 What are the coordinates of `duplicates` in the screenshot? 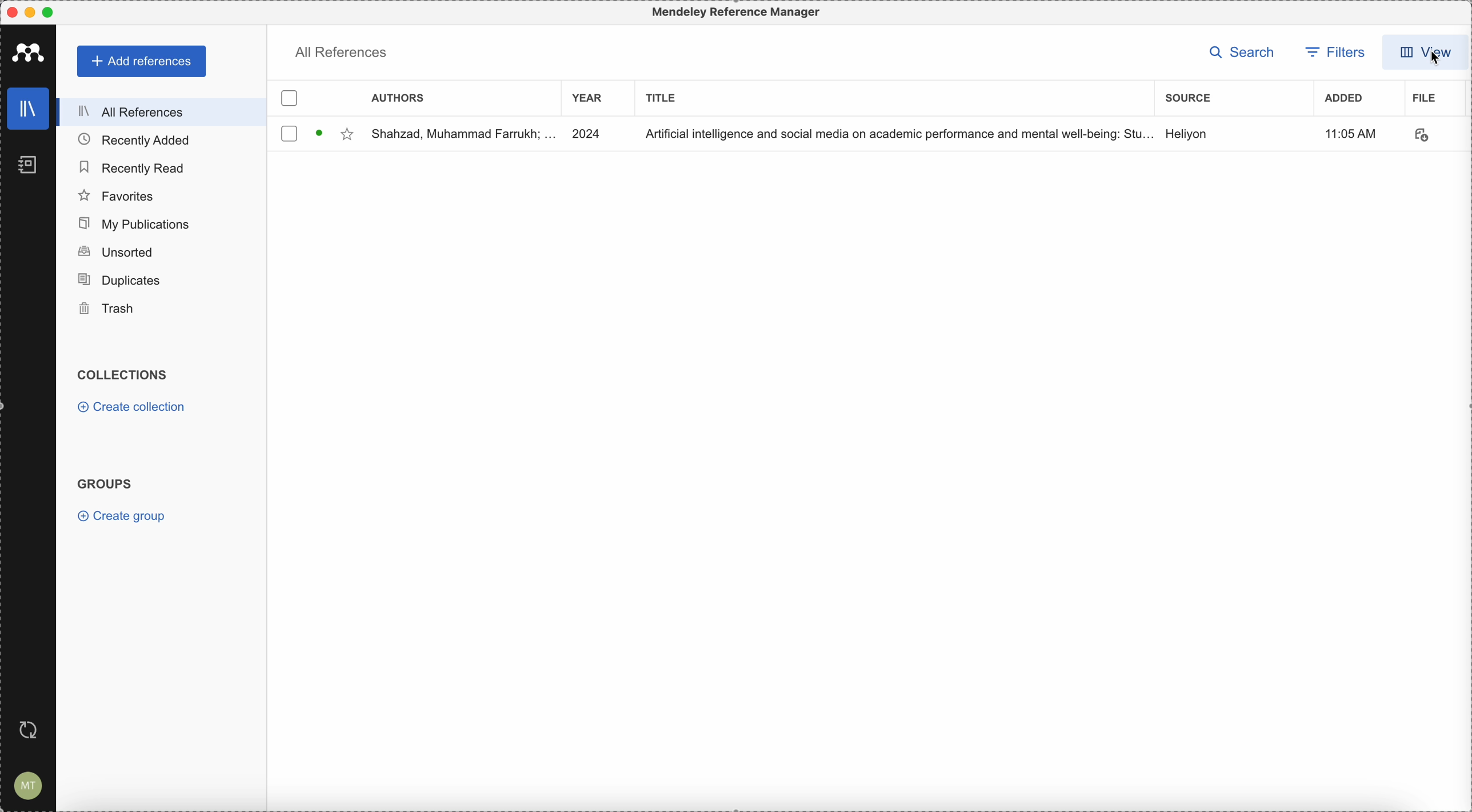 It's located at (122, 278).